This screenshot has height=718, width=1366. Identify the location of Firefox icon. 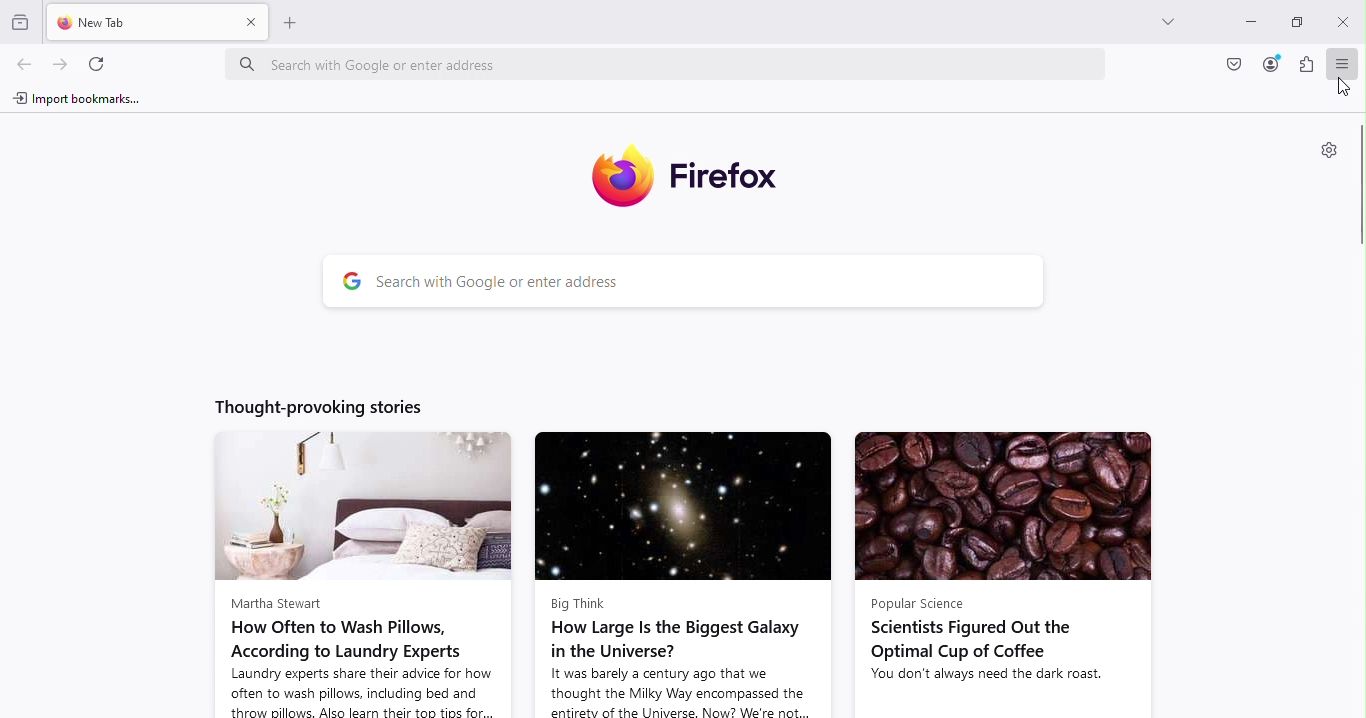
(691, 177).